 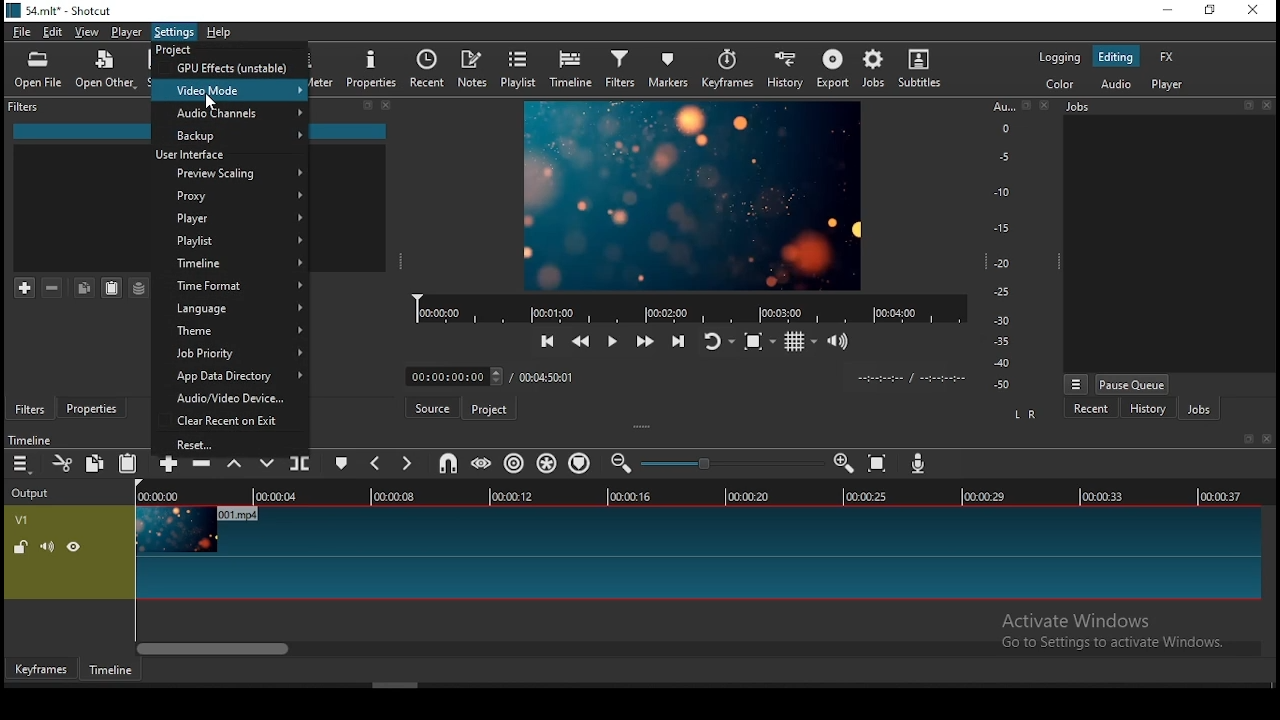 What do you see at coordinates (201, 466) in the screenshot?
I see `ripple delete` at bounding box center [201, 466].